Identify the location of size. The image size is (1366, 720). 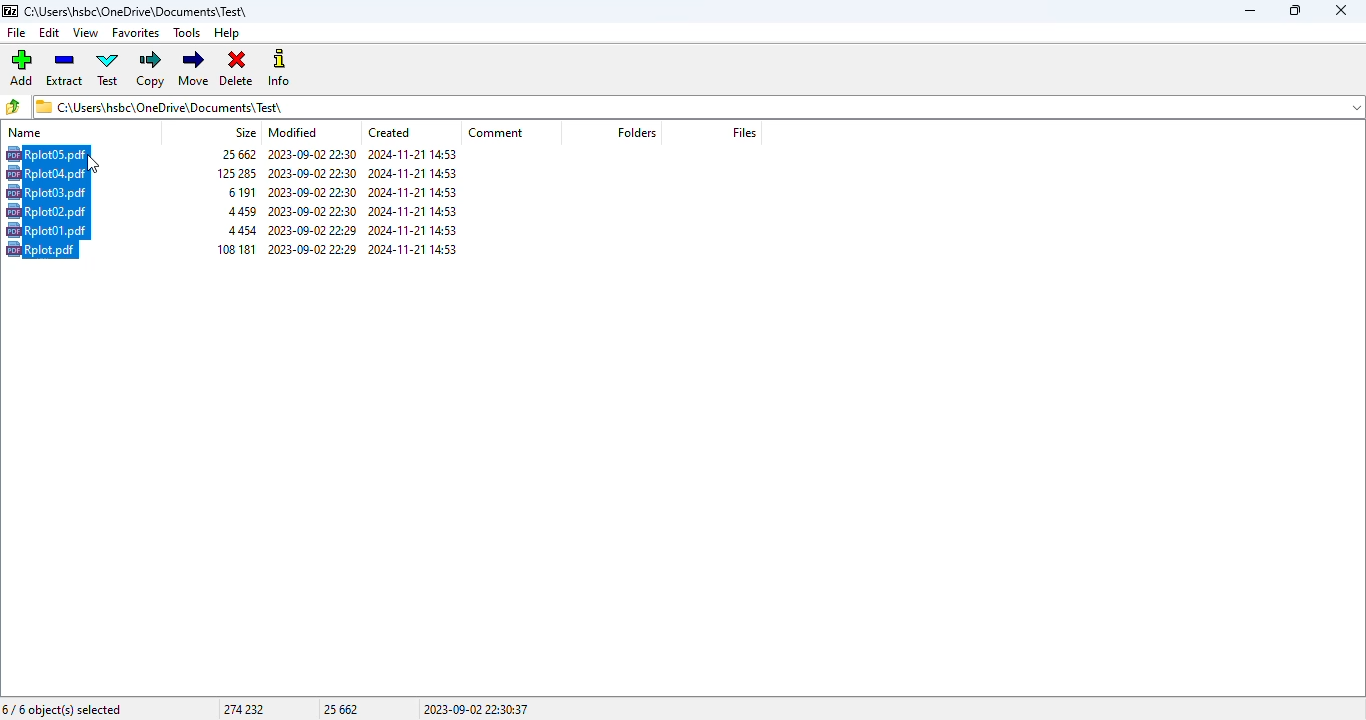
(237, 248).